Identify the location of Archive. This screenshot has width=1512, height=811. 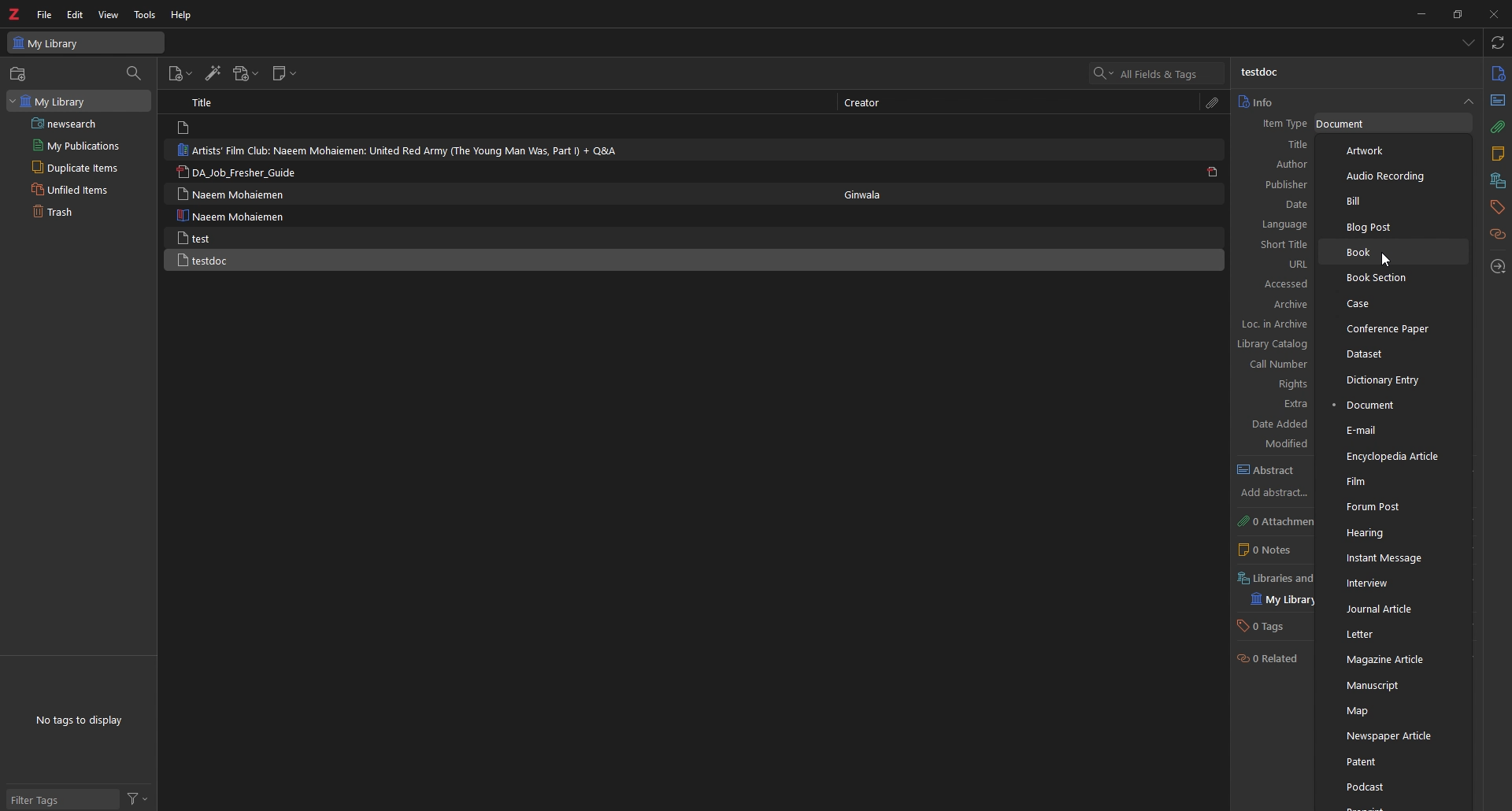
(1280, 305).